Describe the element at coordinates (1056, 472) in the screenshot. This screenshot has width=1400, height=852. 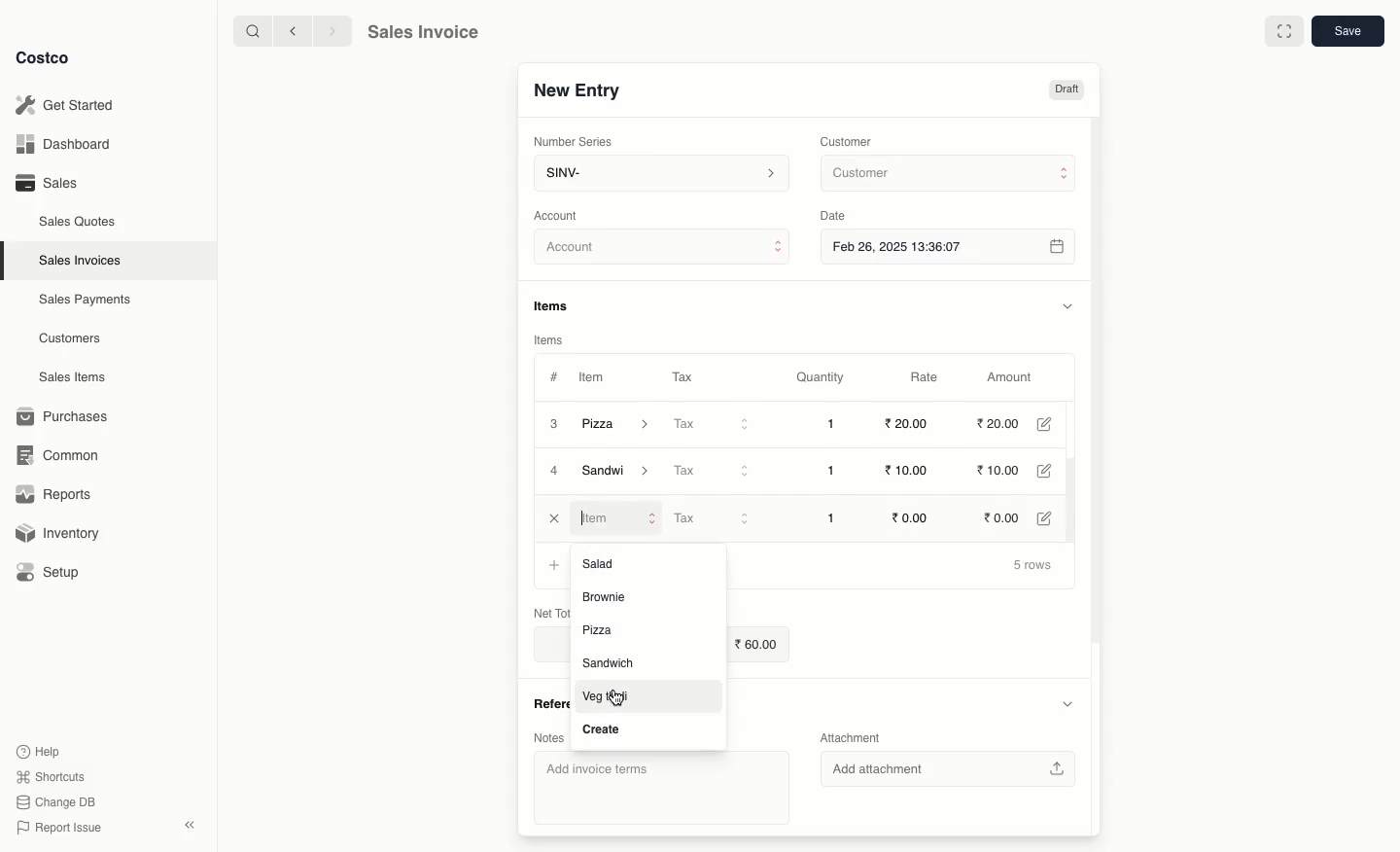
I see `Edit` at that location.